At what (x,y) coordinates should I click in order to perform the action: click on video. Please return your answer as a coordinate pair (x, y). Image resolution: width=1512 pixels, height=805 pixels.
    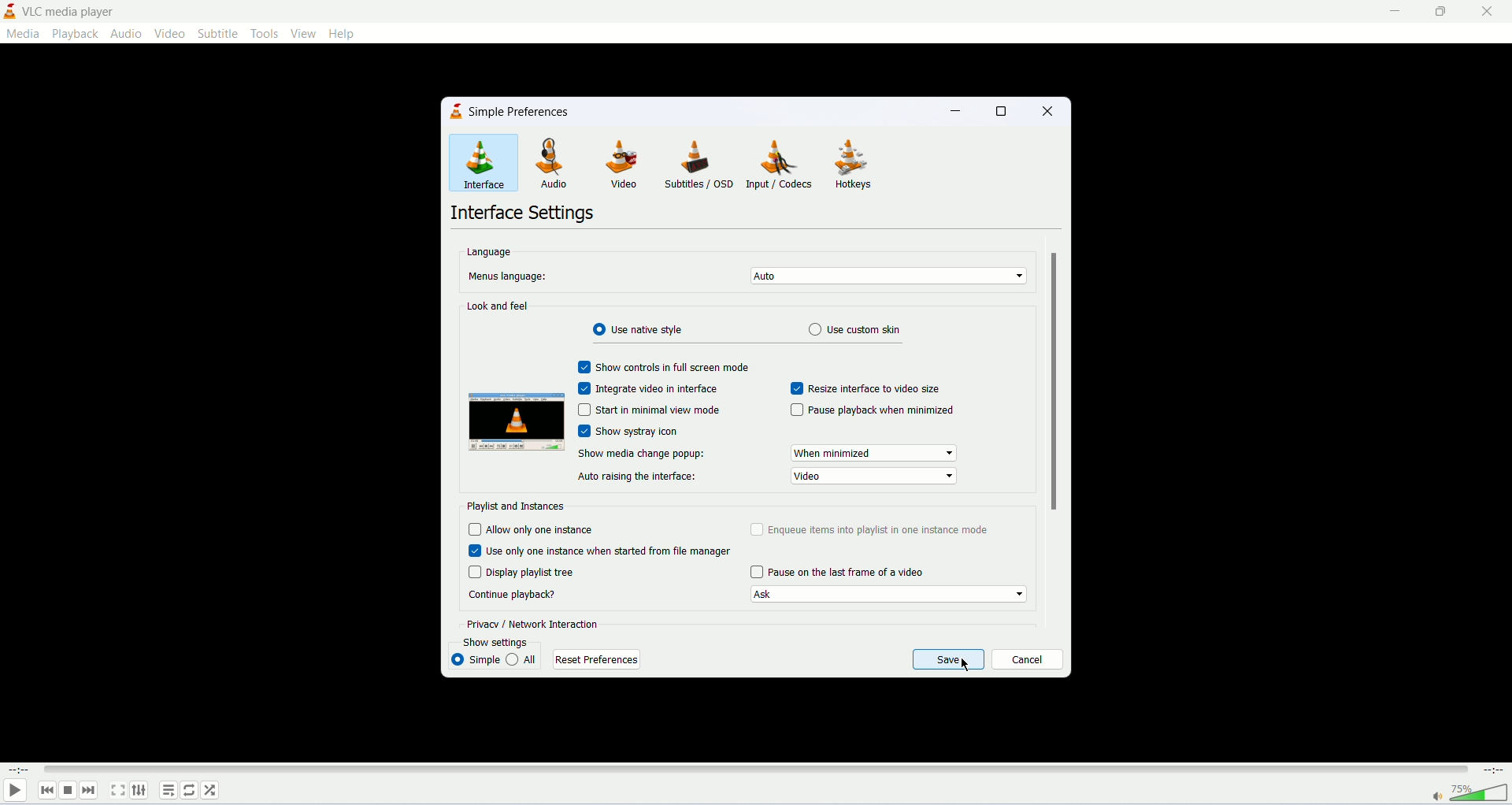
    Looking at the image, I should click on (169, 33).